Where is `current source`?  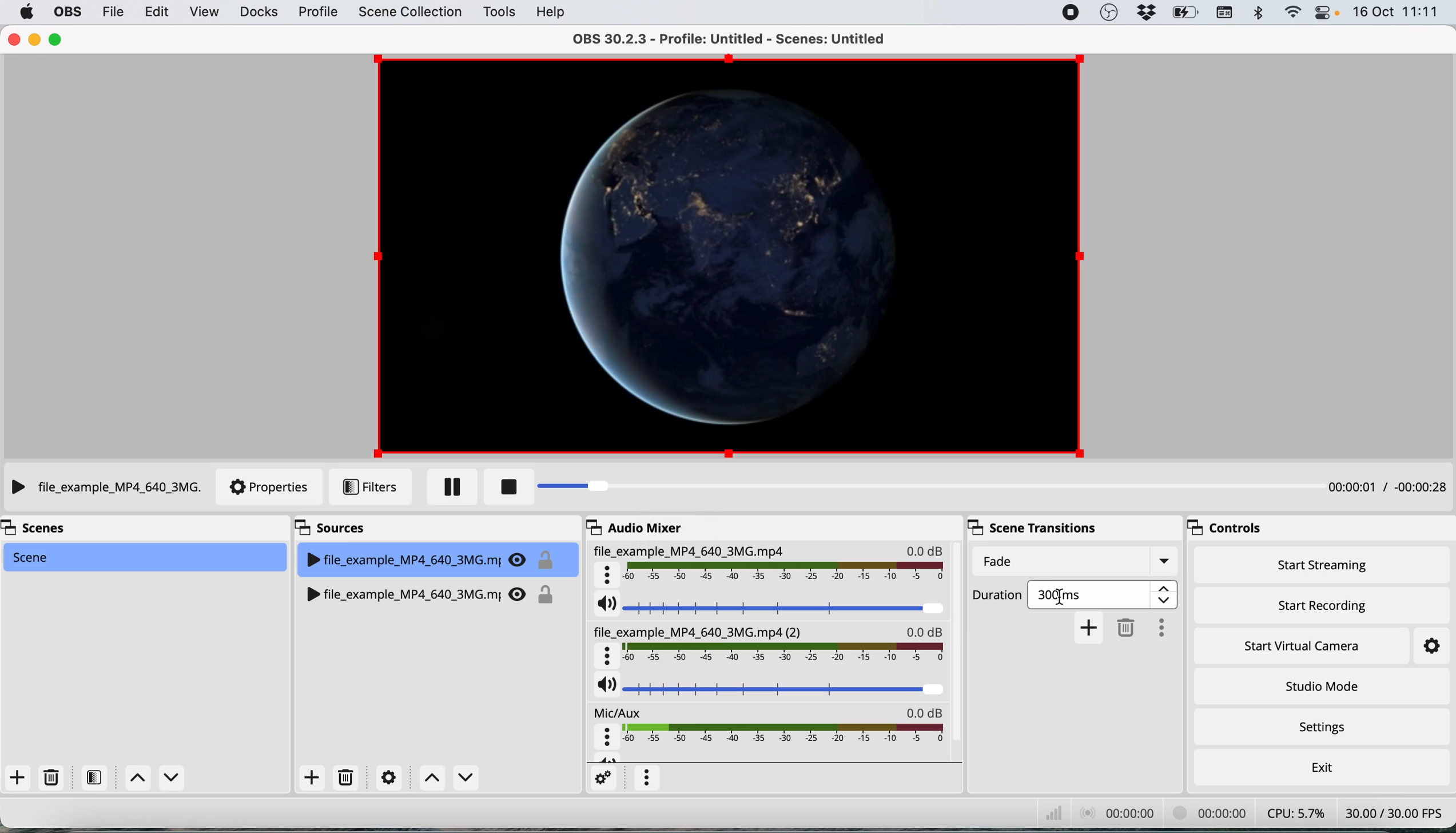
current source is located at coordinates (104, 487).